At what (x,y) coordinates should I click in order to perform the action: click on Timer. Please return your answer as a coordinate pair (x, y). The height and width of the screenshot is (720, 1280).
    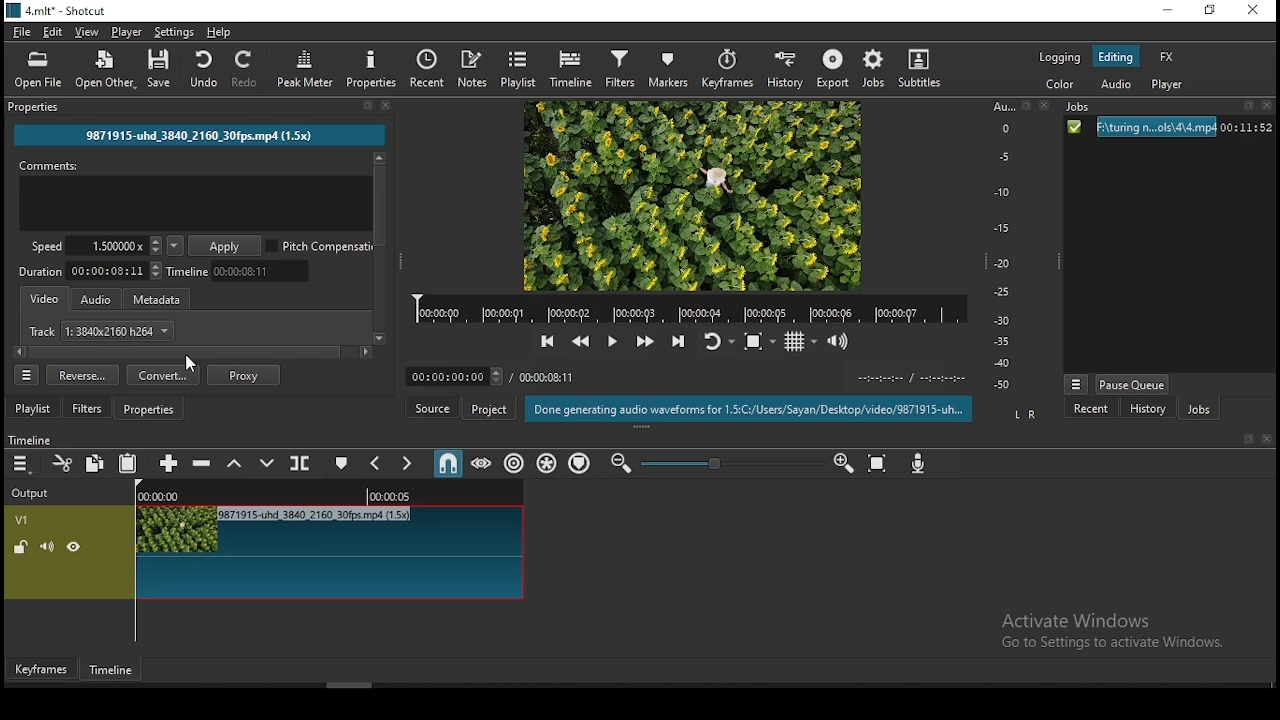
    Looking at the image, I should click on (457, 377).